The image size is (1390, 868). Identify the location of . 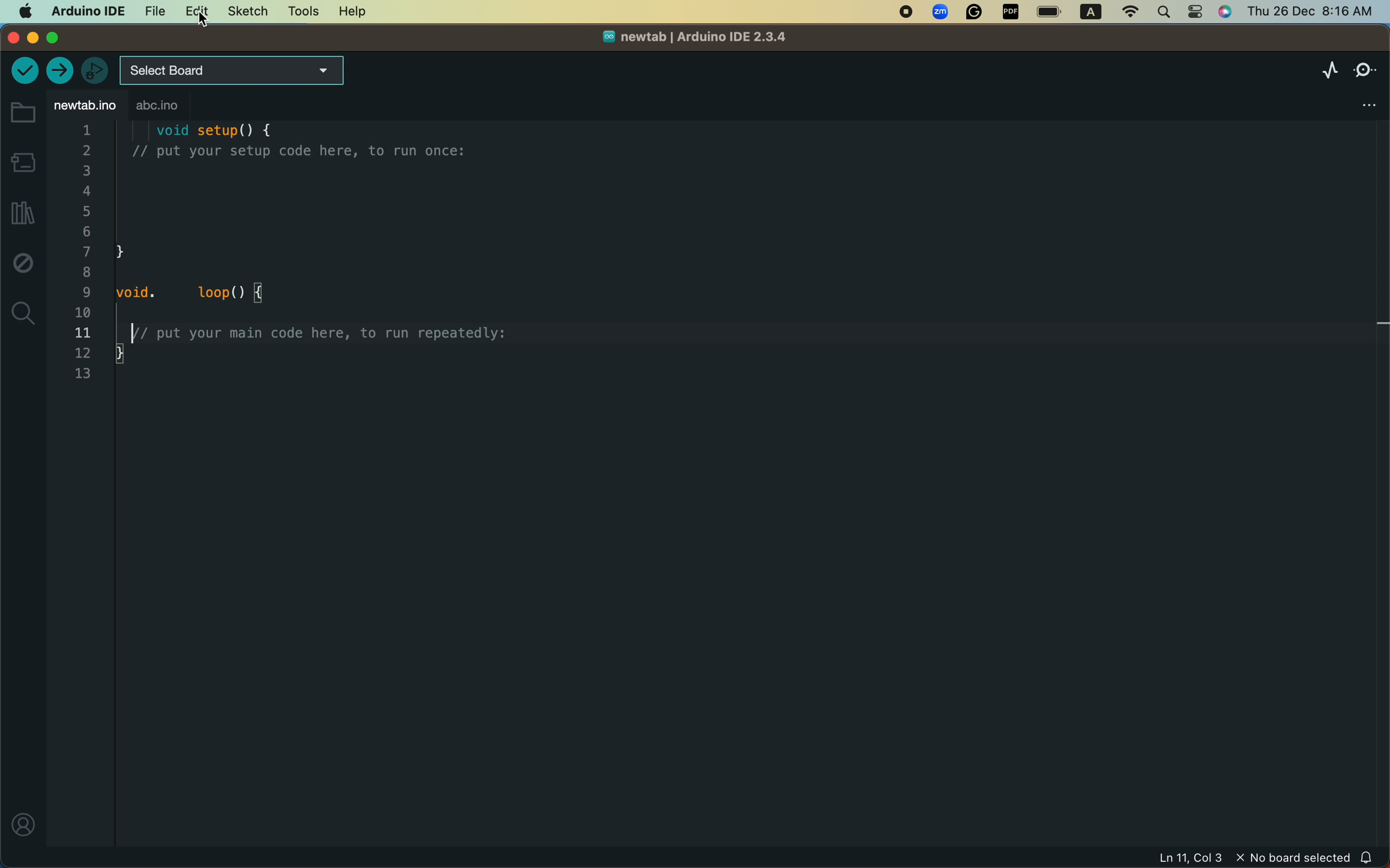
(975, 13).